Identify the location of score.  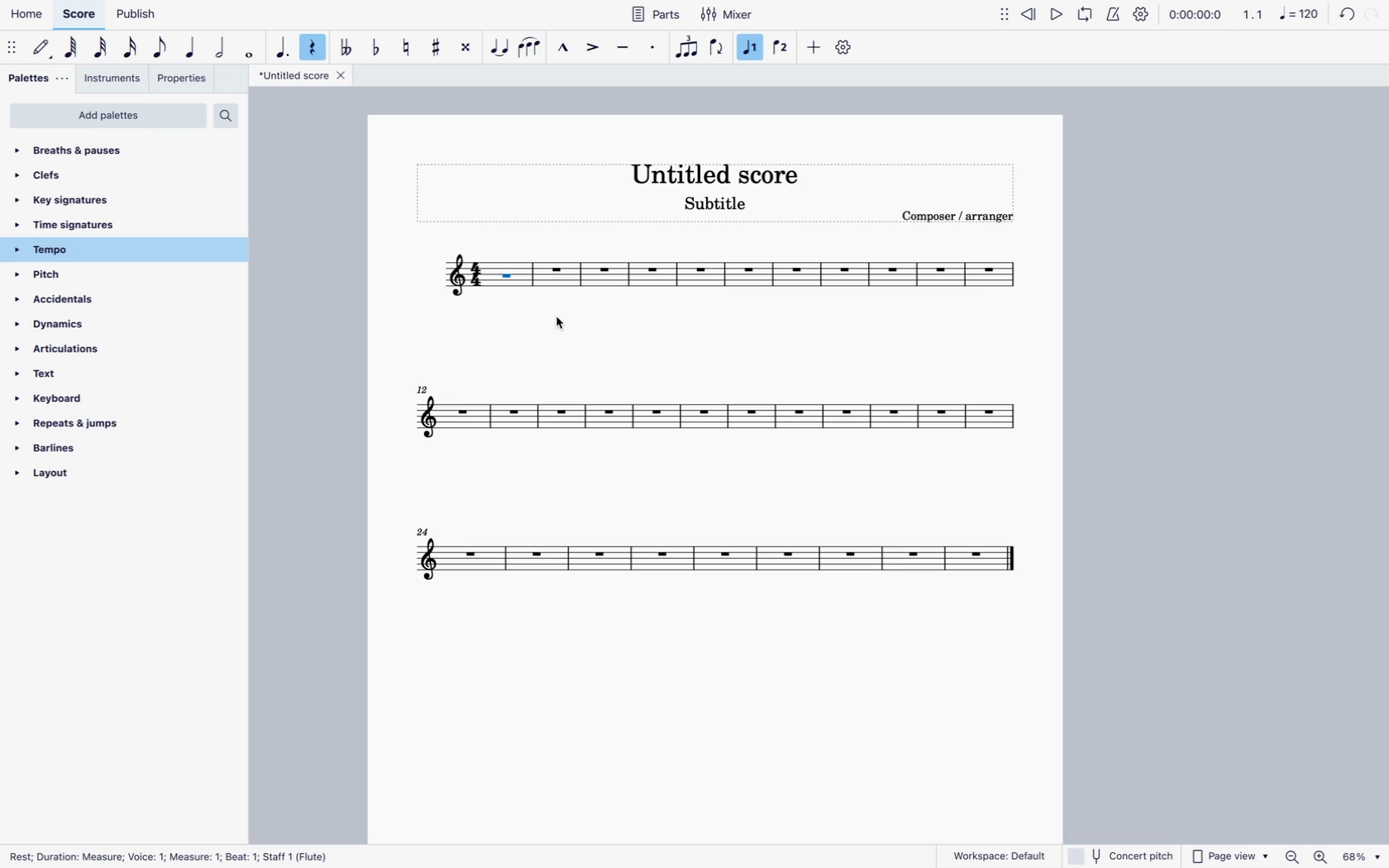
(709, 413).